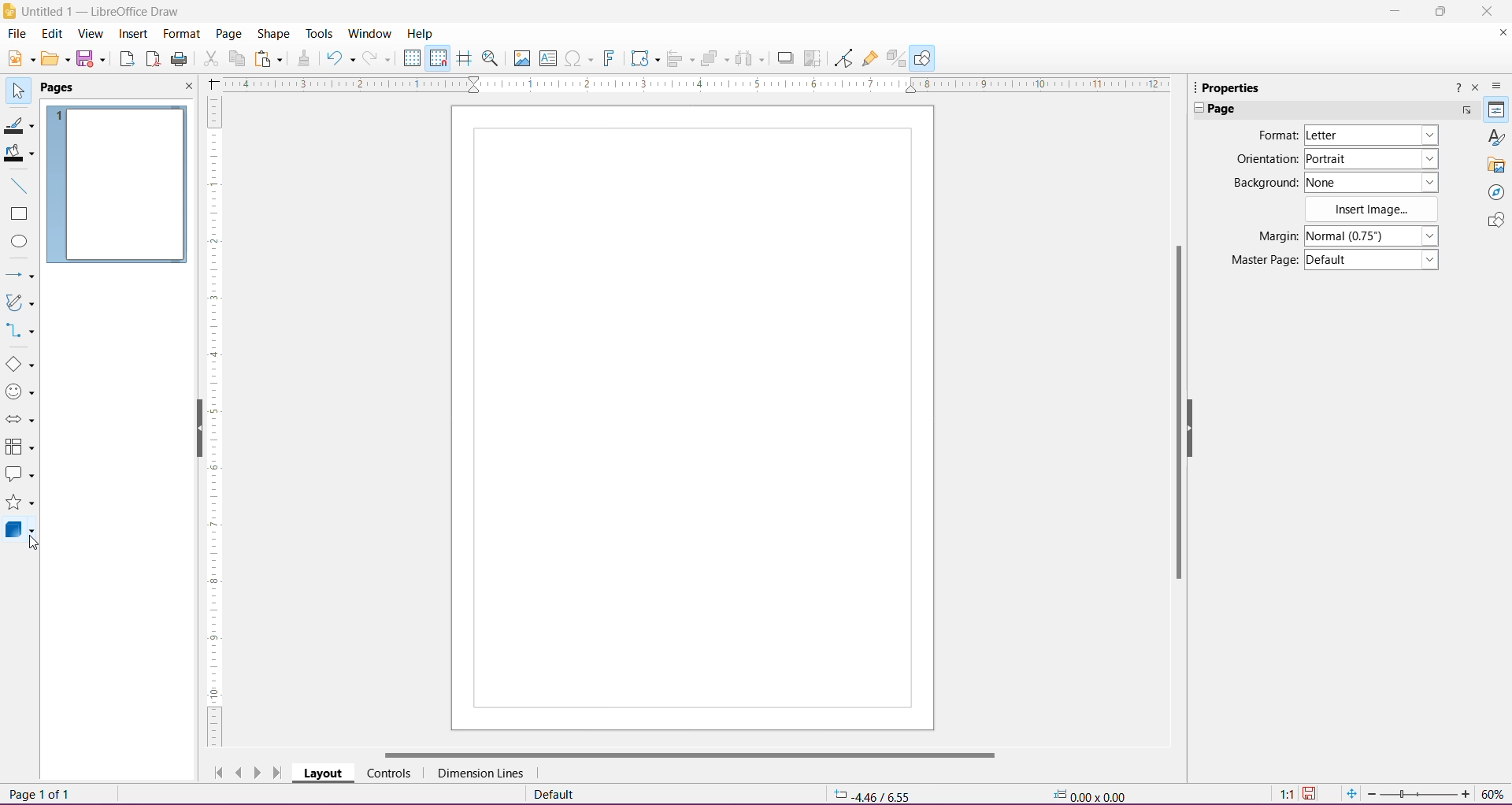 Image resolution: width=1512 pixels, height=805 pixels. What do you see at coordinates (19, 124) in the screenshot?
I see `Line Color` at bounding box center [19, 124].